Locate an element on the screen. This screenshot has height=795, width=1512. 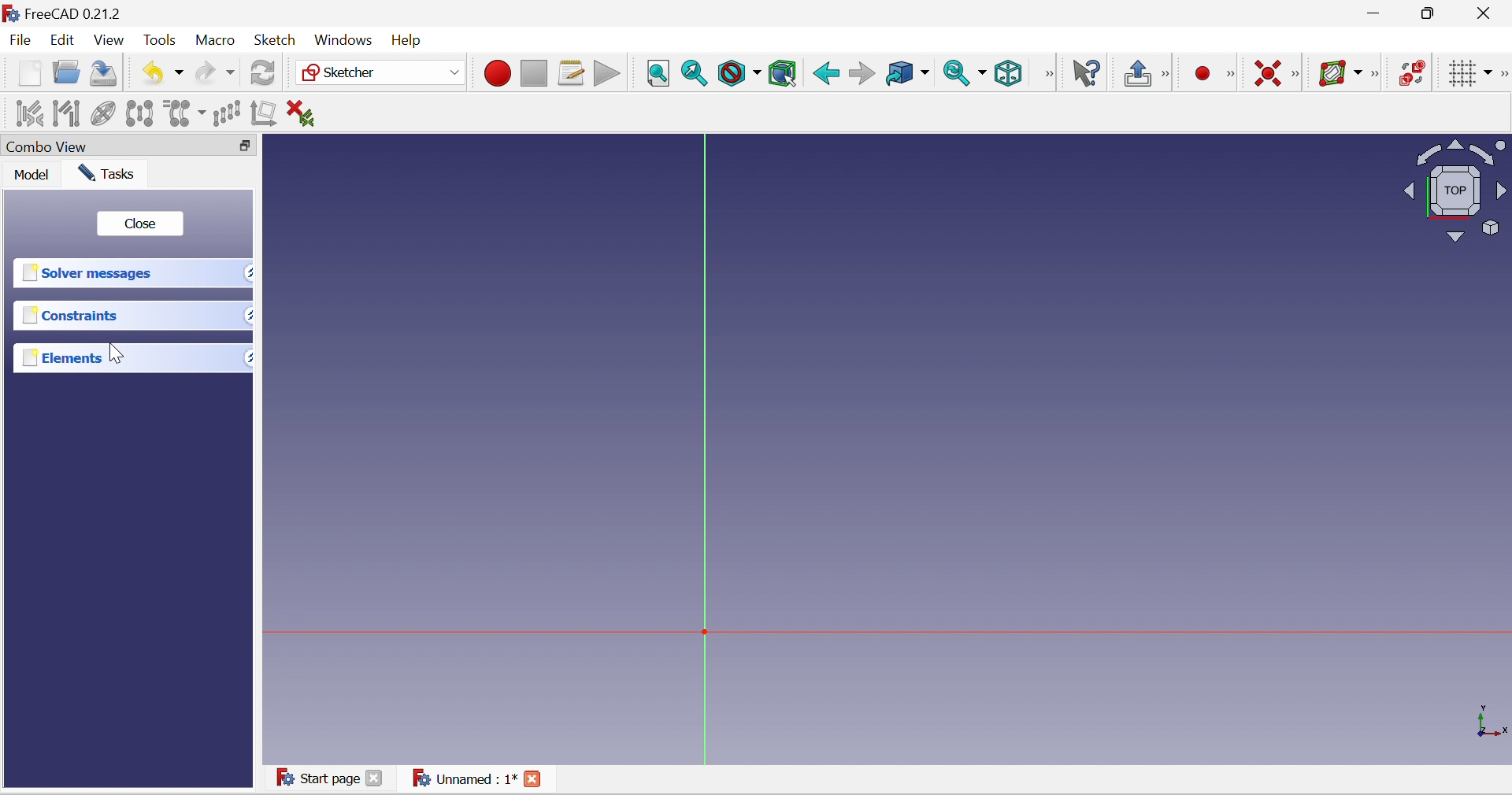
Back is located at coordinates (825, 74).